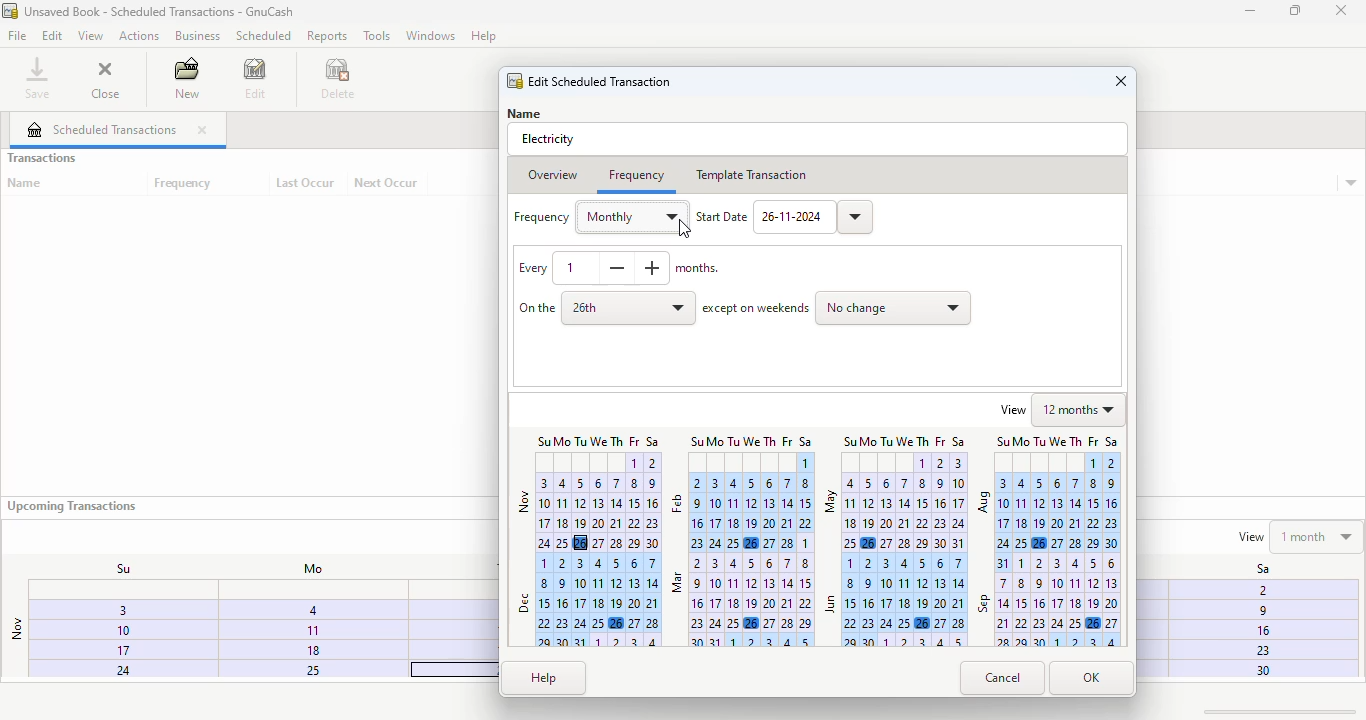  What do you see at coordinates (10, 10) in the screenshot?
I see `logo` at bounding box center [10, 10].